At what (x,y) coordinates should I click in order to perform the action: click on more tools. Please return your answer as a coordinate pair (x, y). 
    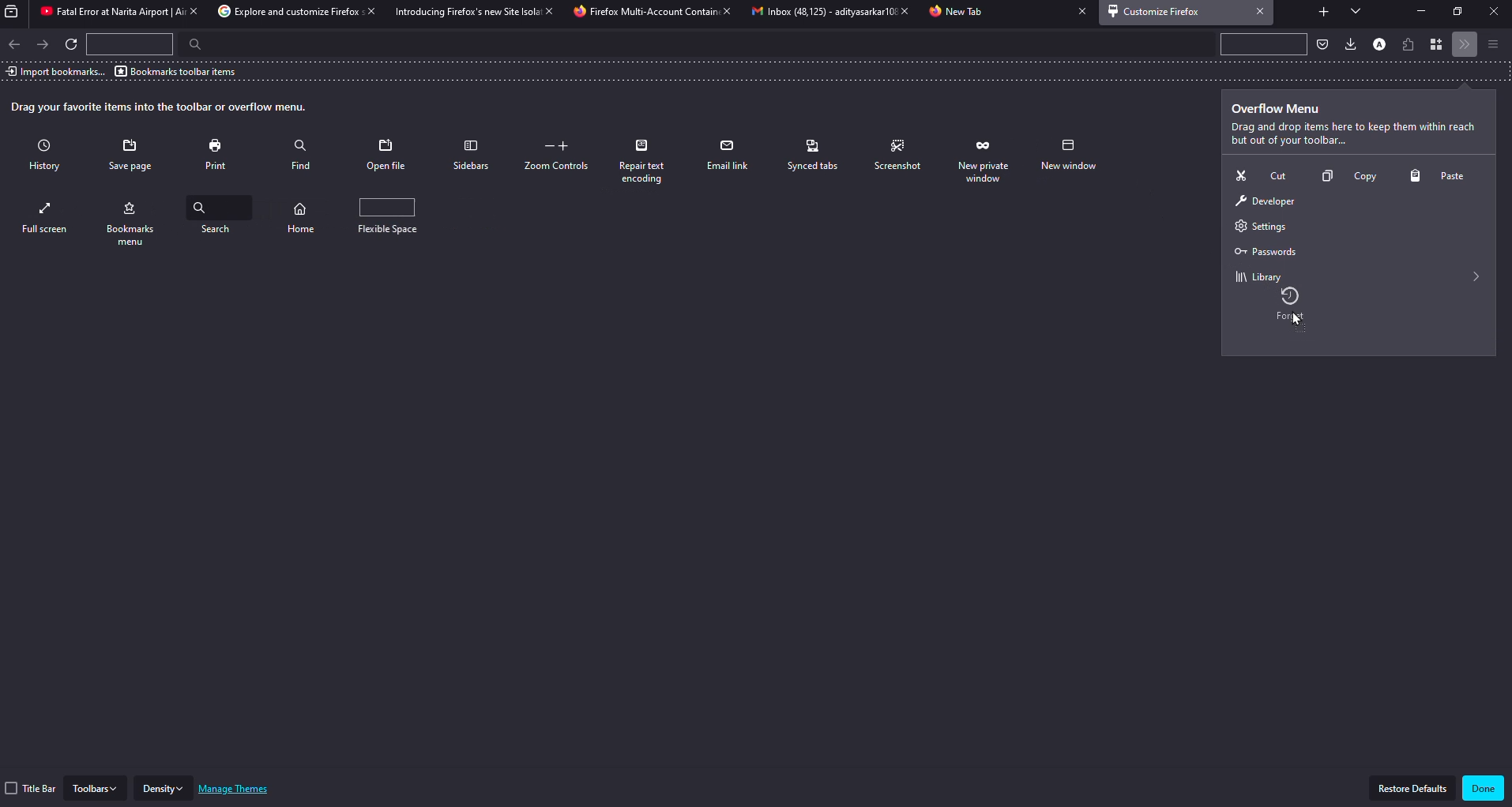
    Looking at the image, I should click on (1466, 45).